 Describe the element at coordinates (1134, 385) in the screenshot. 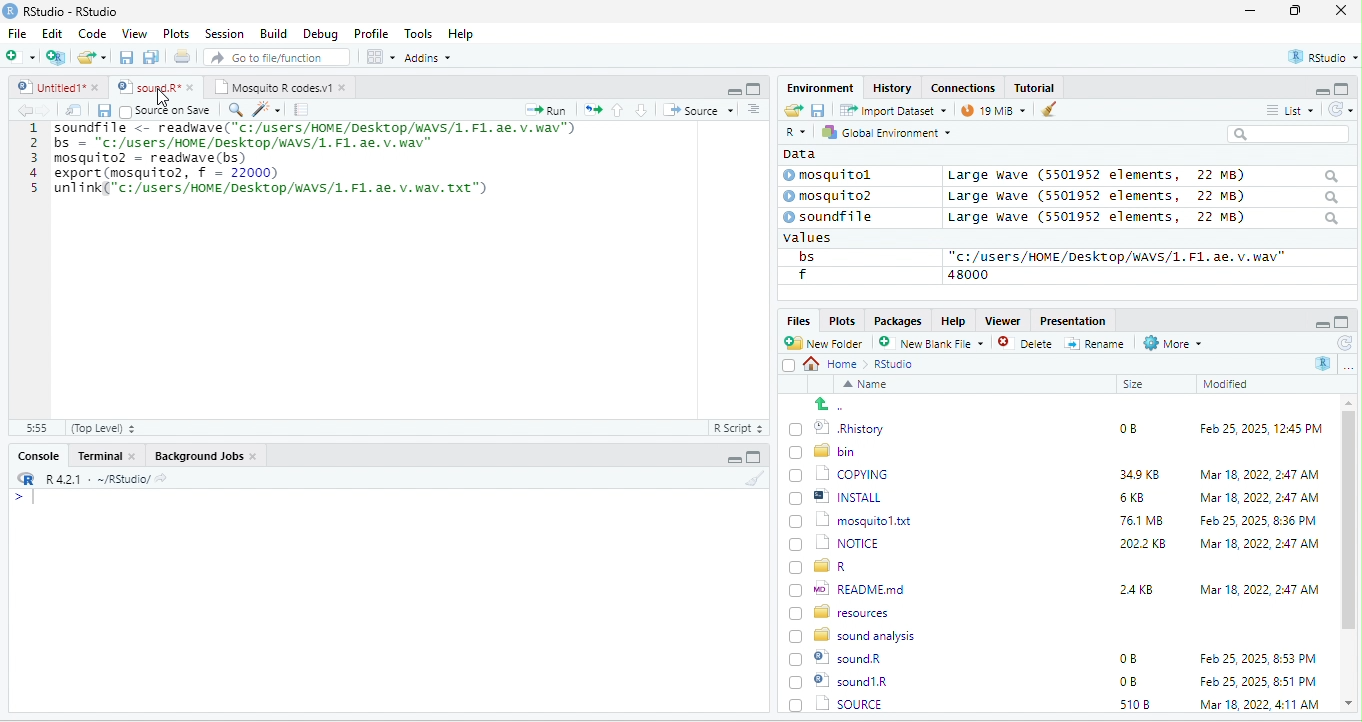

I see `Size` at that location.